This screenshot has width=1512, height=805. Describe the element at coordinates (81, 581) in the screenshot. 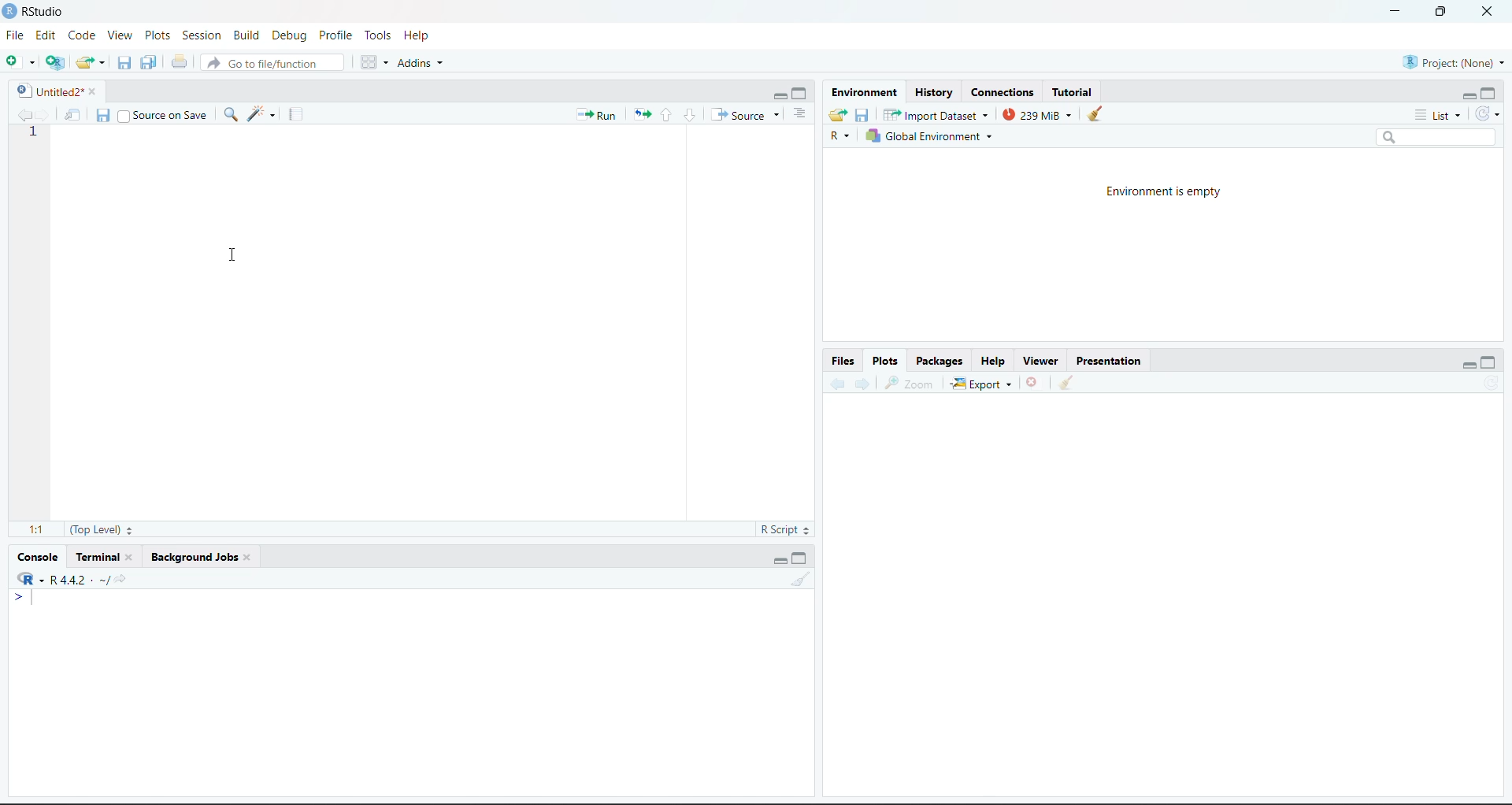

I see `R.4.4.2~/` at that location.